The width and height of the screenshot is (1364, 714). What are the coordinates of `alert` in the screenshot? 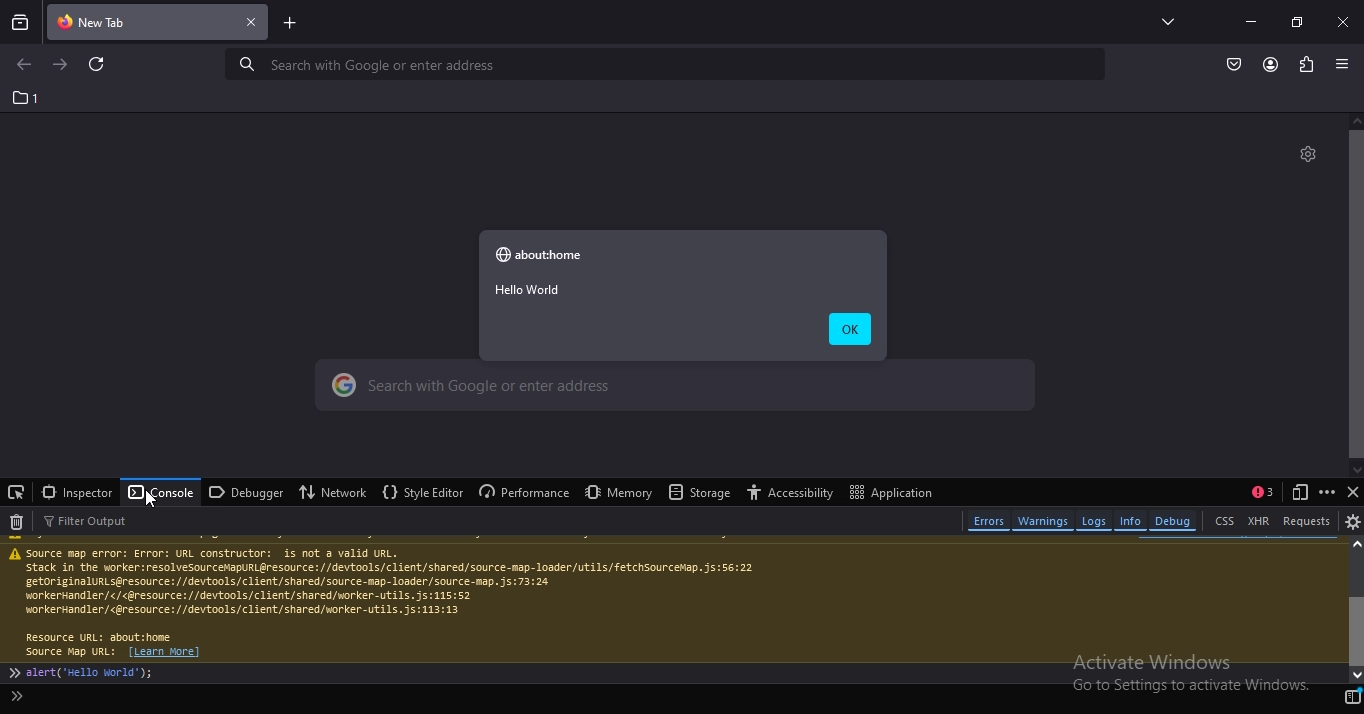 It's located at (20, 697).